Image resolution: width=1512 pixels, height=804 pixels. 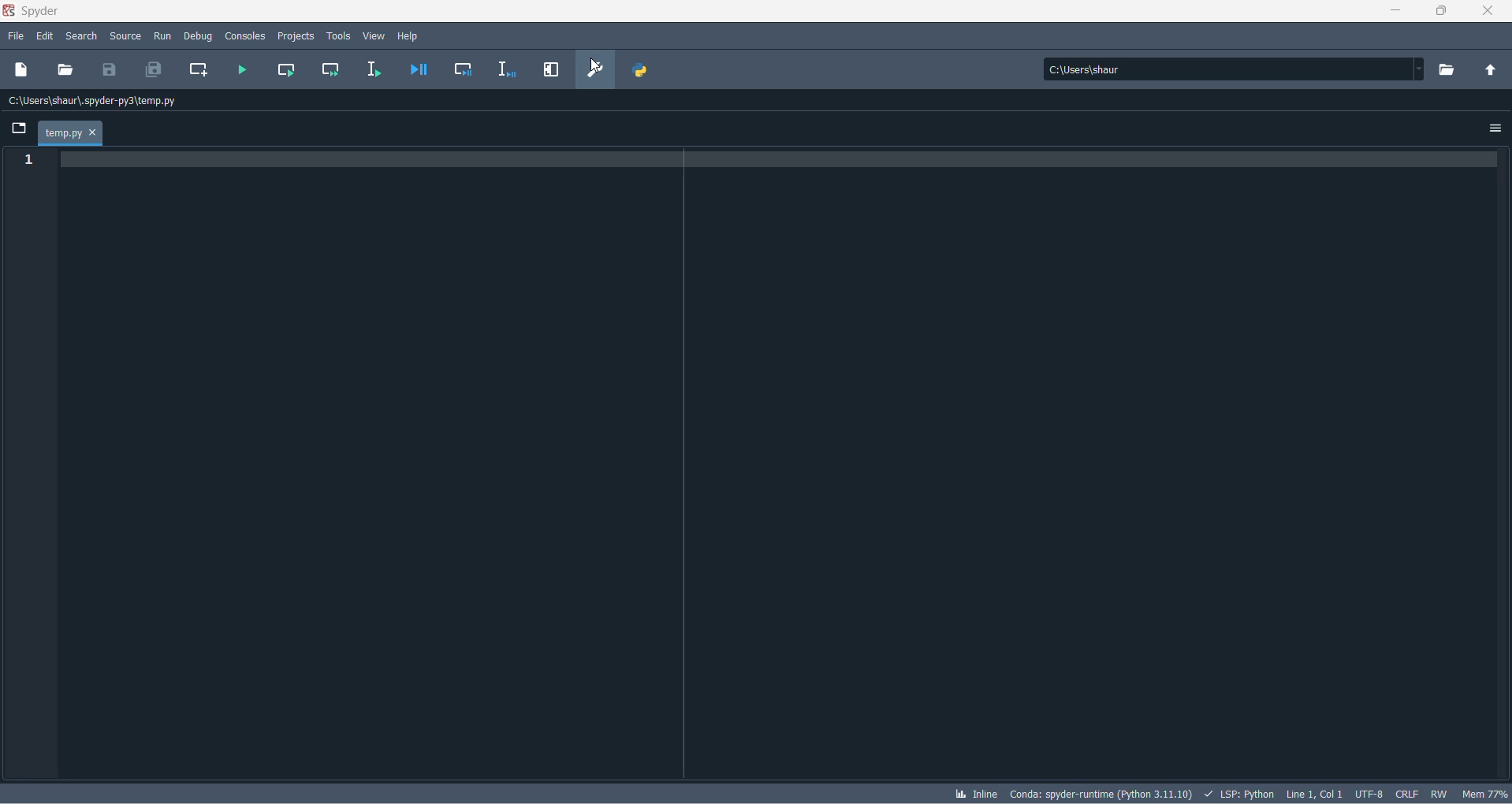 I want to click on search, so click(x=86, y=37).